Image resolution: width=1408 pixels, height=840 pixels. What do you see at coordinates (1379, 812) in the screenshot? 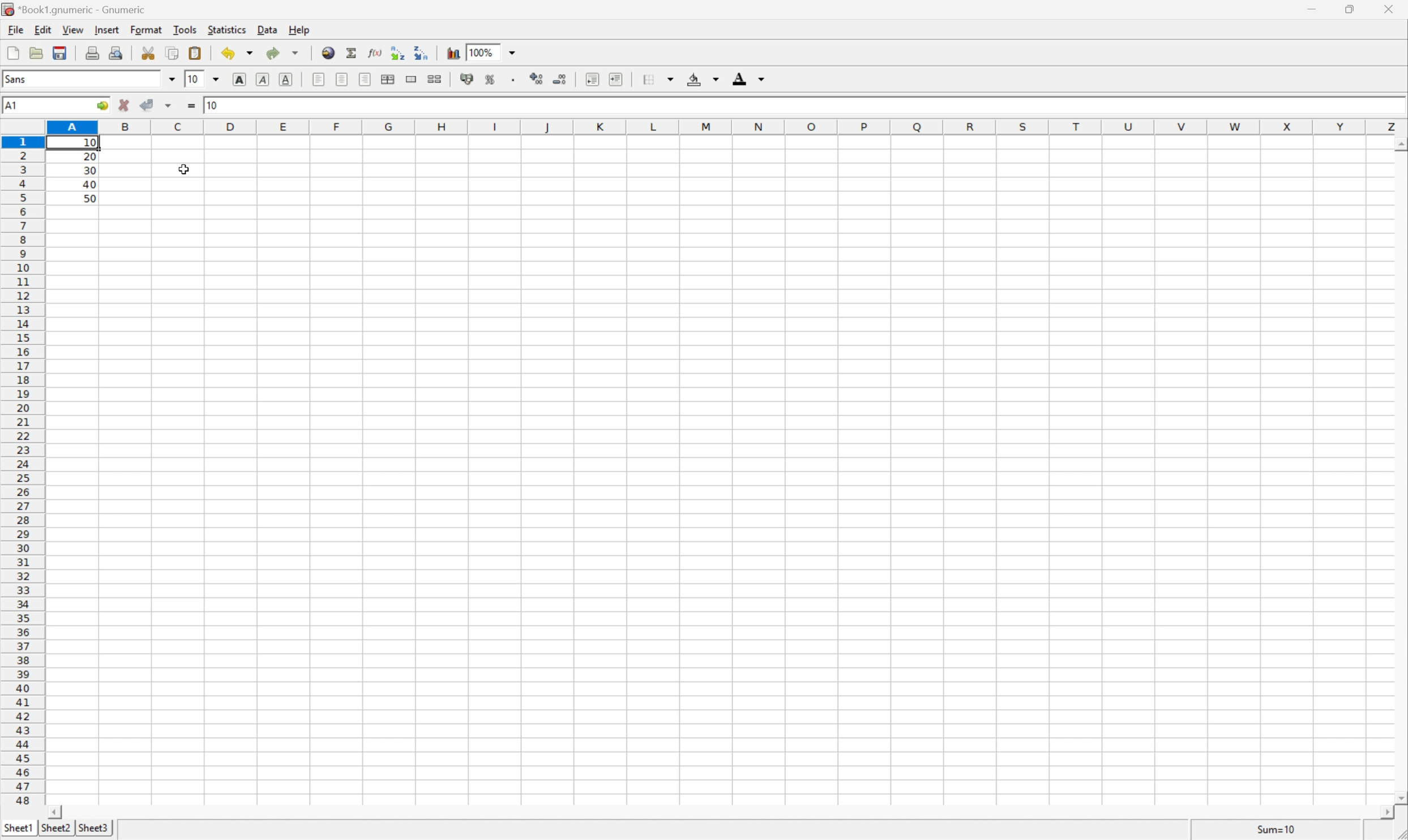
I see `Scroll right` at bounding box center [1379, 812].